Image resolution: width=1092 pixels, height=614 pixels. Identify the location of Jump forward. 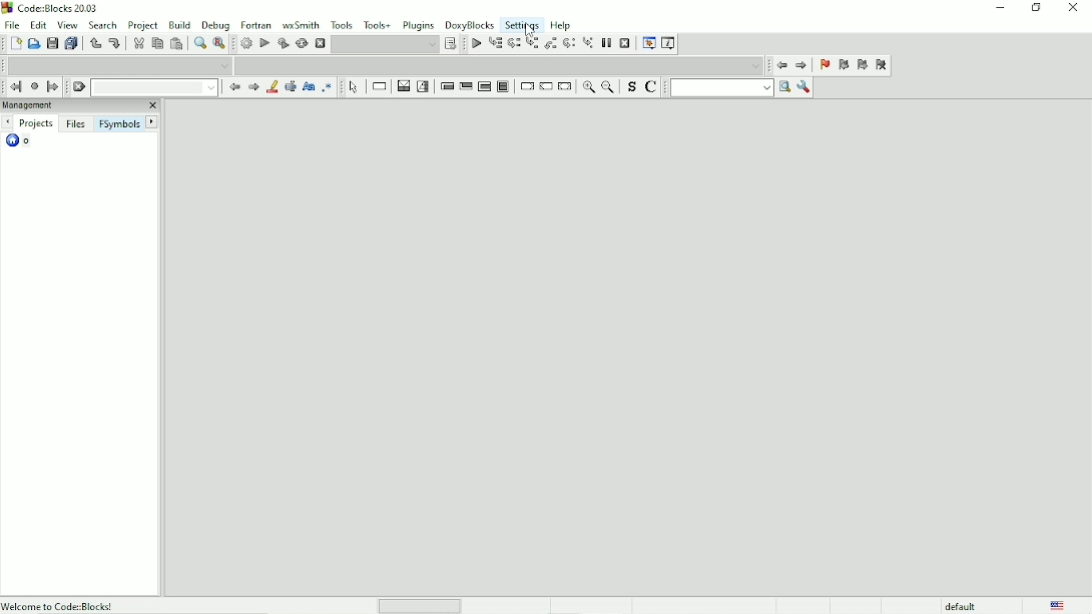
(53, 87).